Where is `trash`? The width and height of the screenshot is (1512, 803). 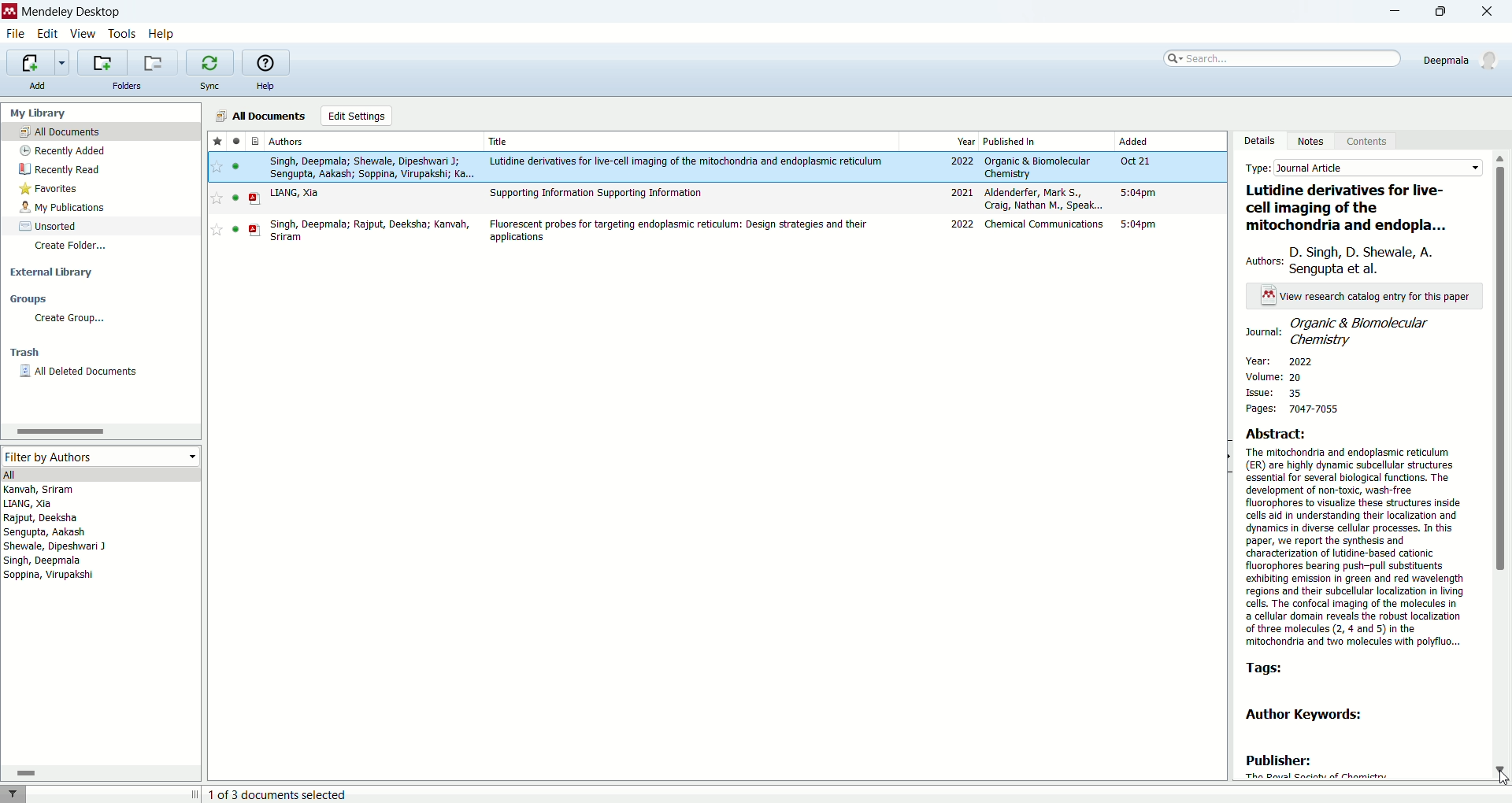
trash is located at coordinates (25, 353).